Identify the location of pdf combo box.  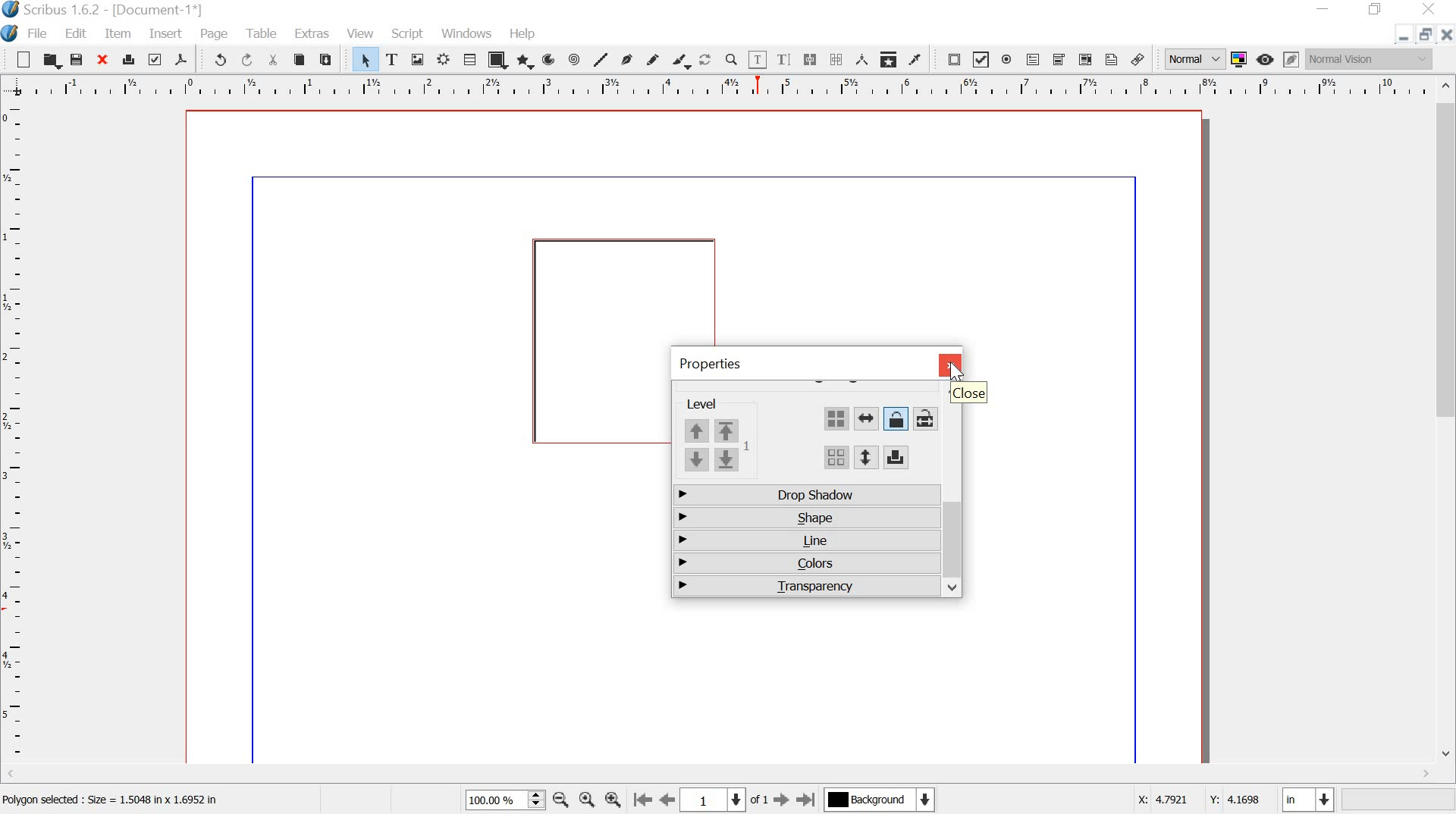
(1060, 61).